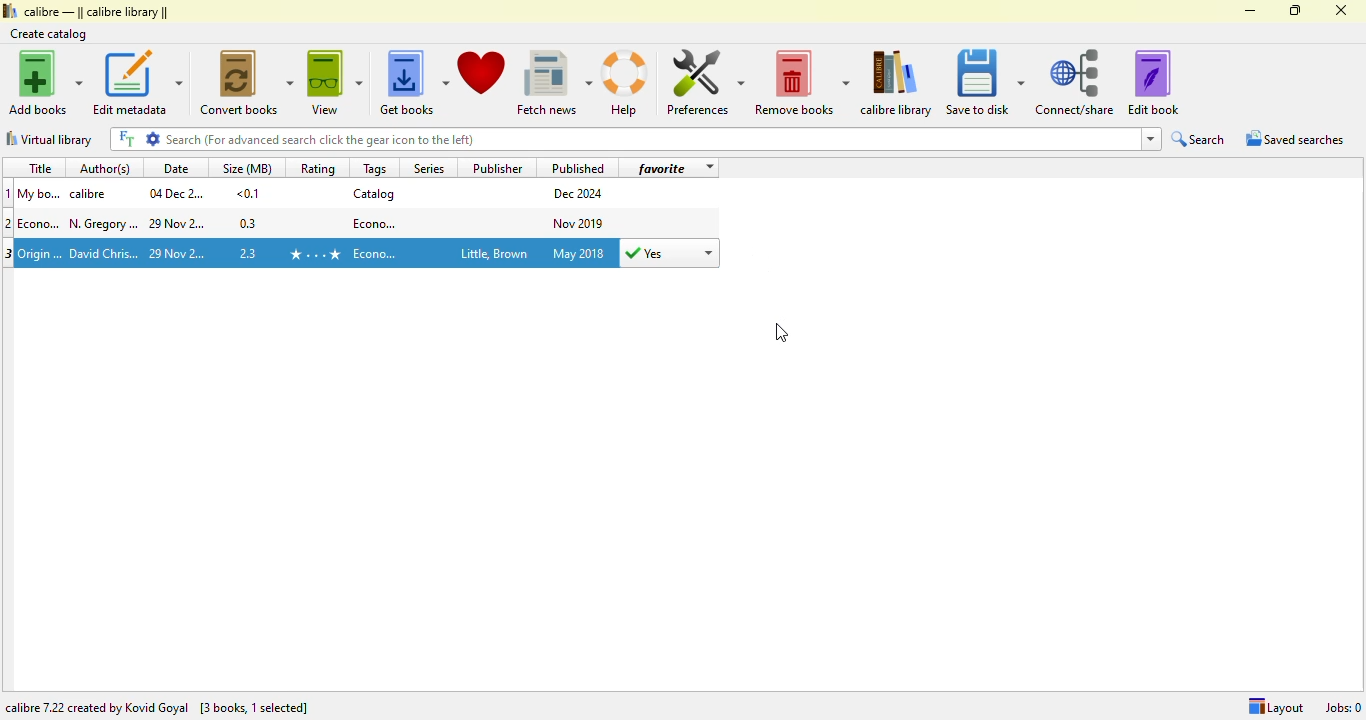 The image size is (1366, 720). Describe the element at coordinates (248, 193) in the screenshot. I see `size` at that location.